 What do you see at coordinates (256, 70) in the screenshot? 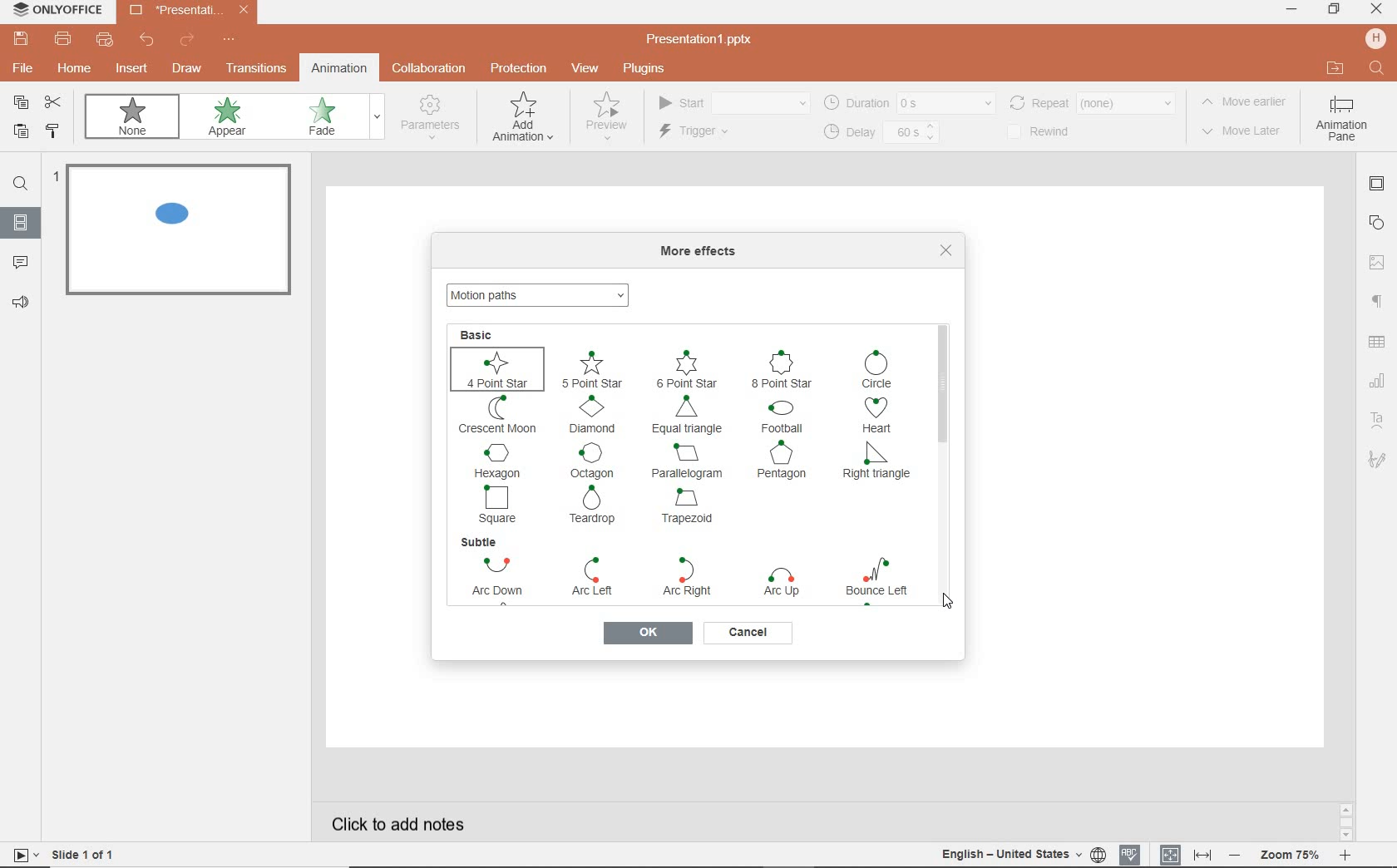
I see `transitions` at bounding box center [256, 70].